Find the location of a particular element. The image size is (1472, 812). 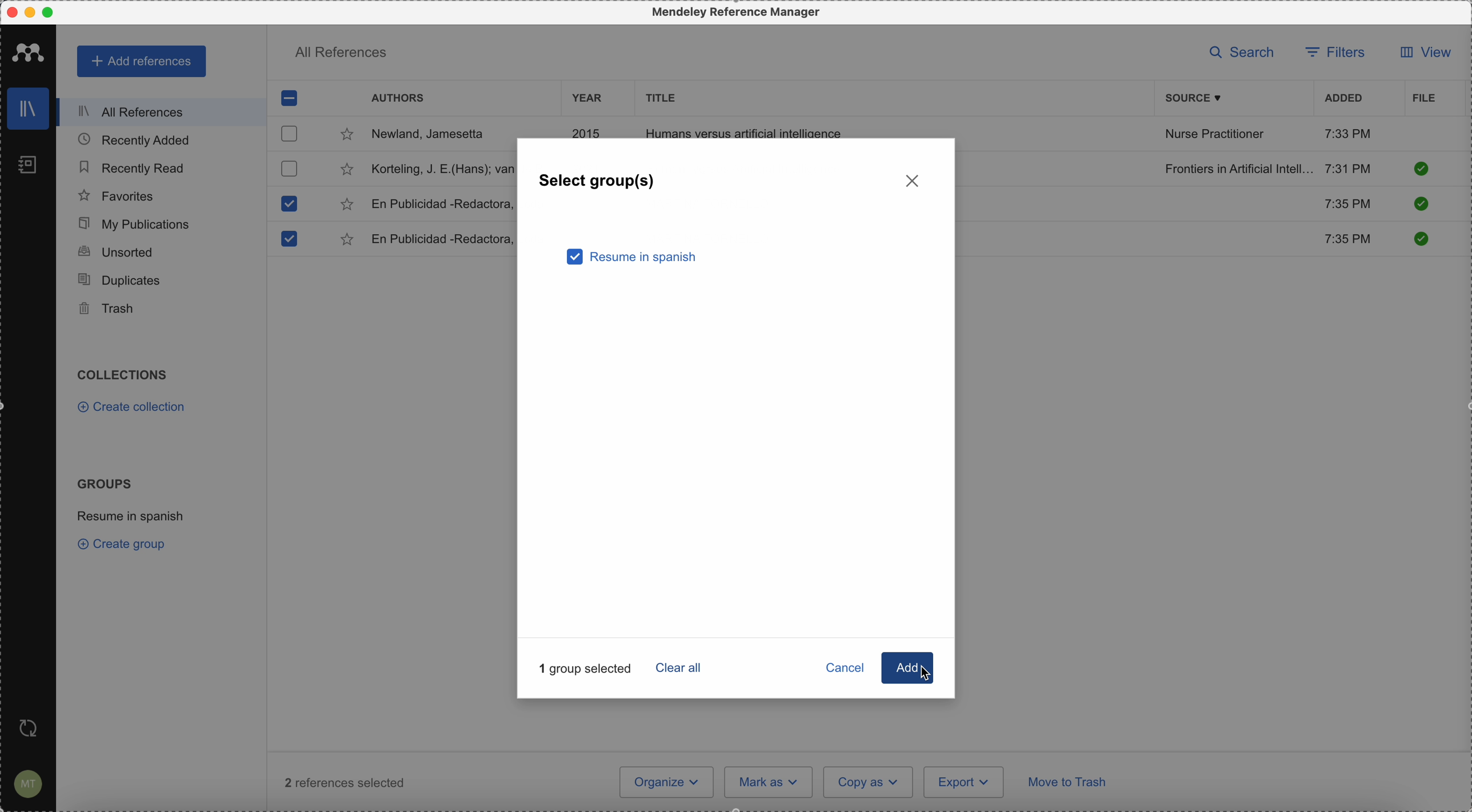

create group is located at coordinates (125, 543).